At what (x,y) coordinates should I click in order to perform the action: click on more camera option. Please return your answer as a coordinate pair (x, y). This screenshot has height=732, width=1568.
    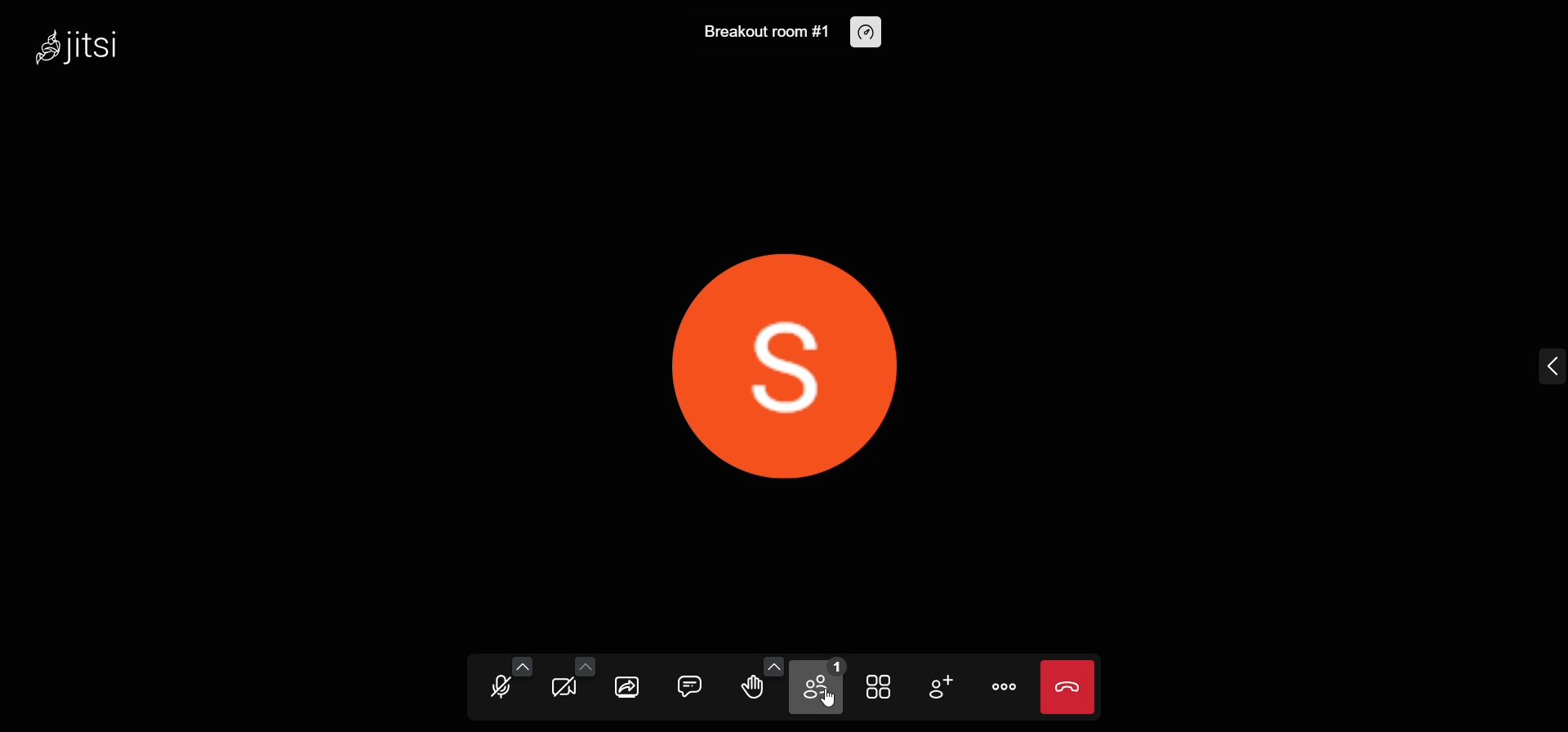
    Looking at the image, I should click on (585, 665).